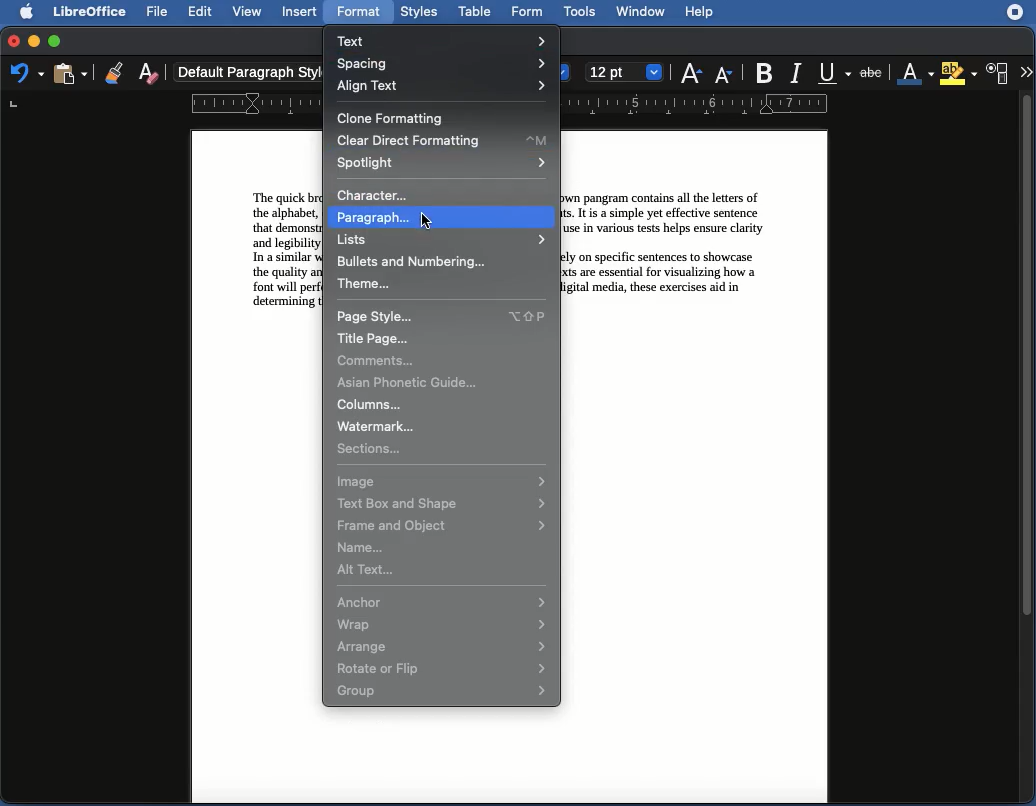  I want to click on Character, so click(998, 74).